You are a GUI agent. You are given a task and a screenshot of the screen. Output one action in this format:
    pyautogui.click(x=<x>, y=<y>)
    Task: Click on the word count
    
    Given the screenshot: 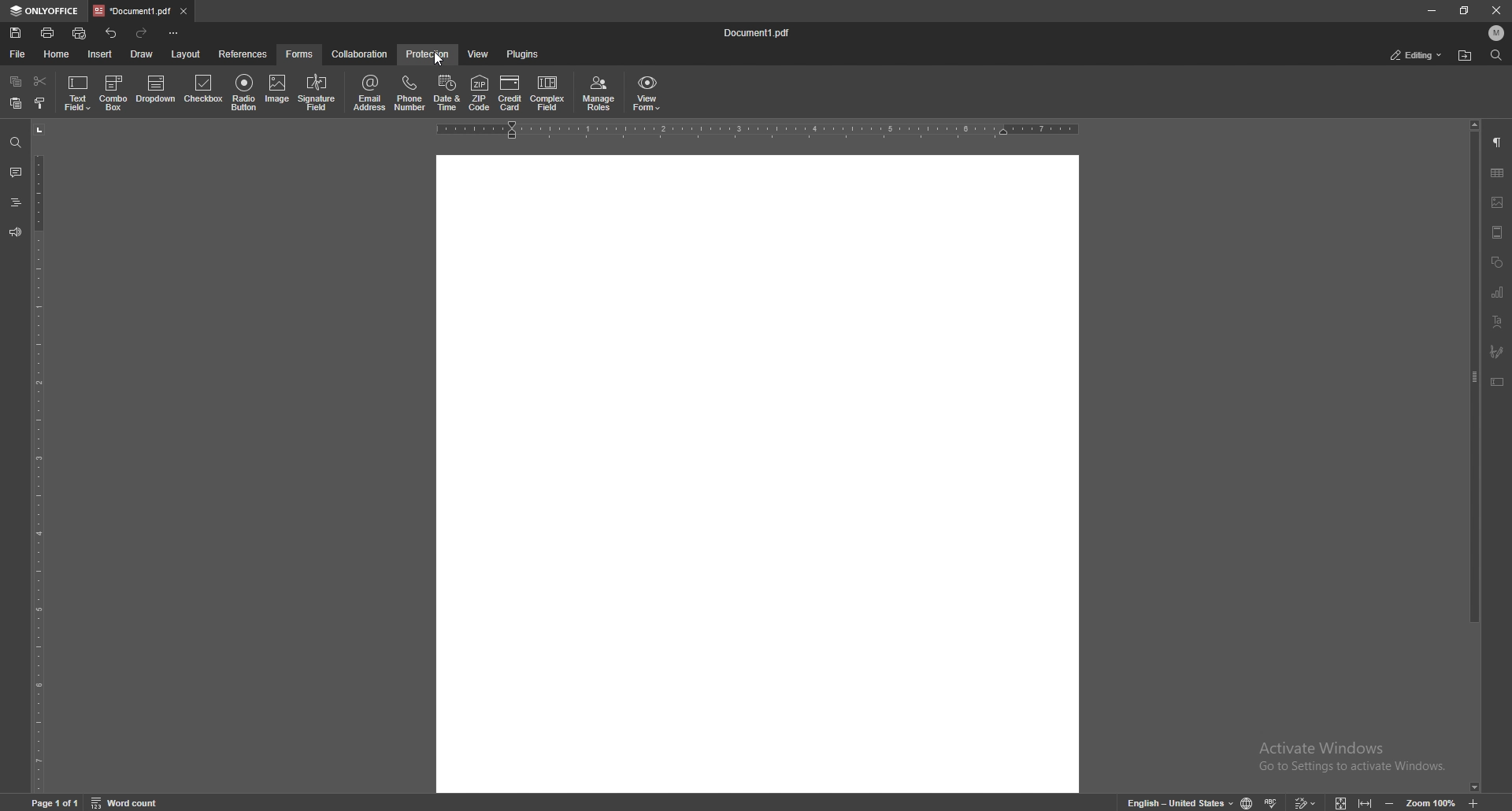 What is the action you would take?
    pyautogui.click(x=135, y=802)
    